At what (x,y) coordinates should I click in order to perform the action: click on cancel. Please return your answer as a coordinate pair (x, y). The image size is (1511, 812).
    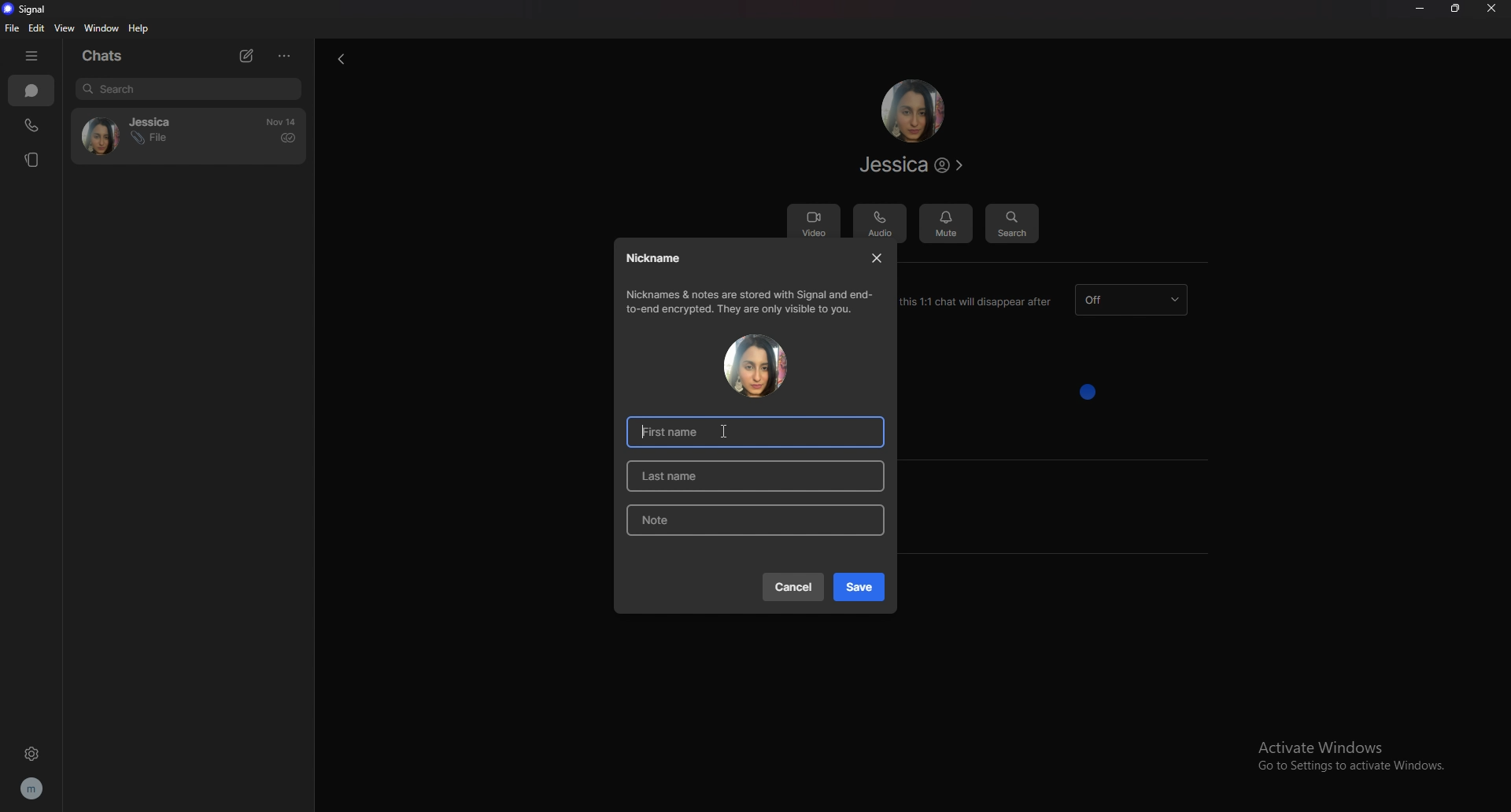
    Looking at the image, I should click on (792, 586).